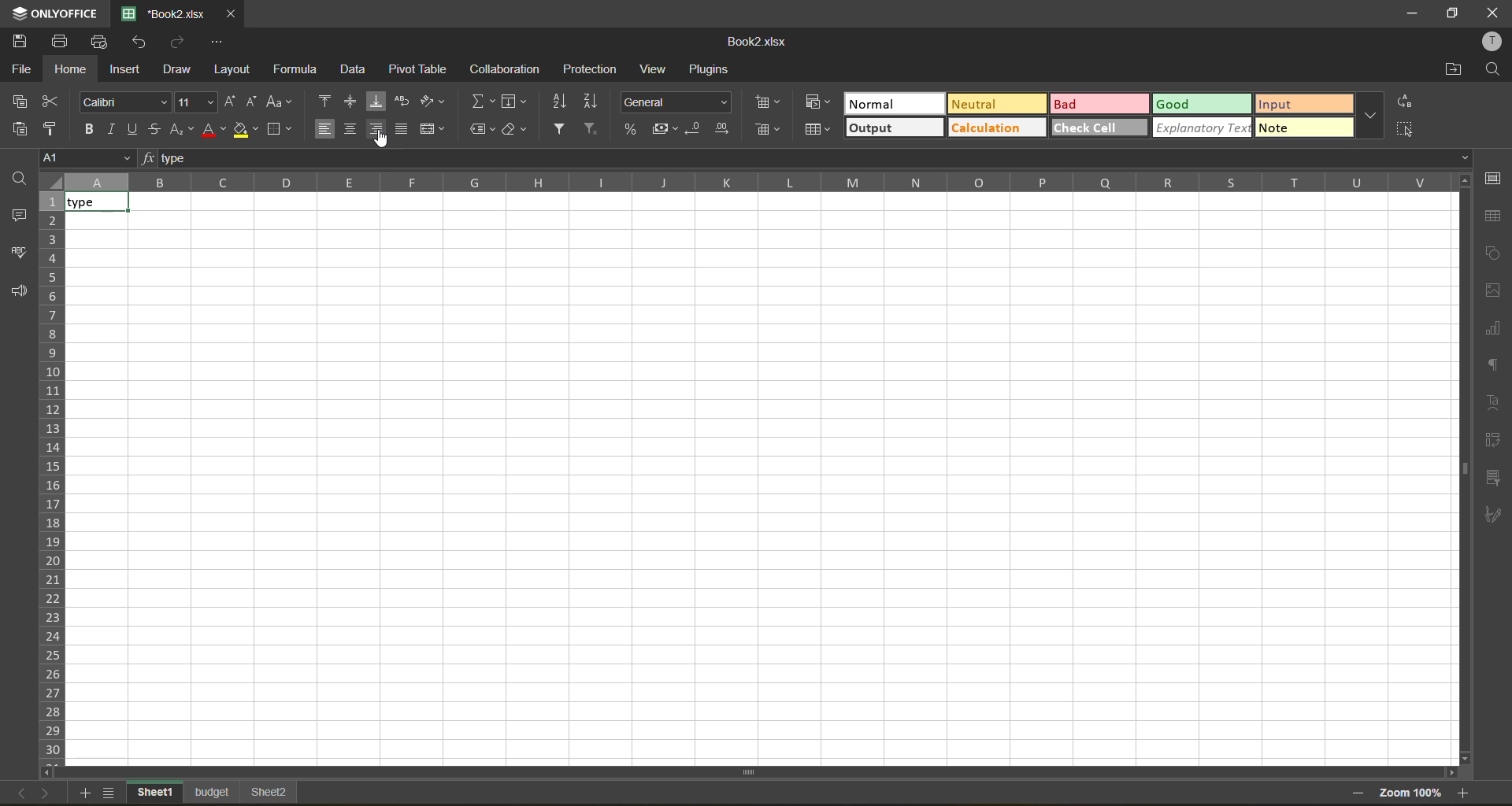  I want to click on open location, so click(1450, 71).